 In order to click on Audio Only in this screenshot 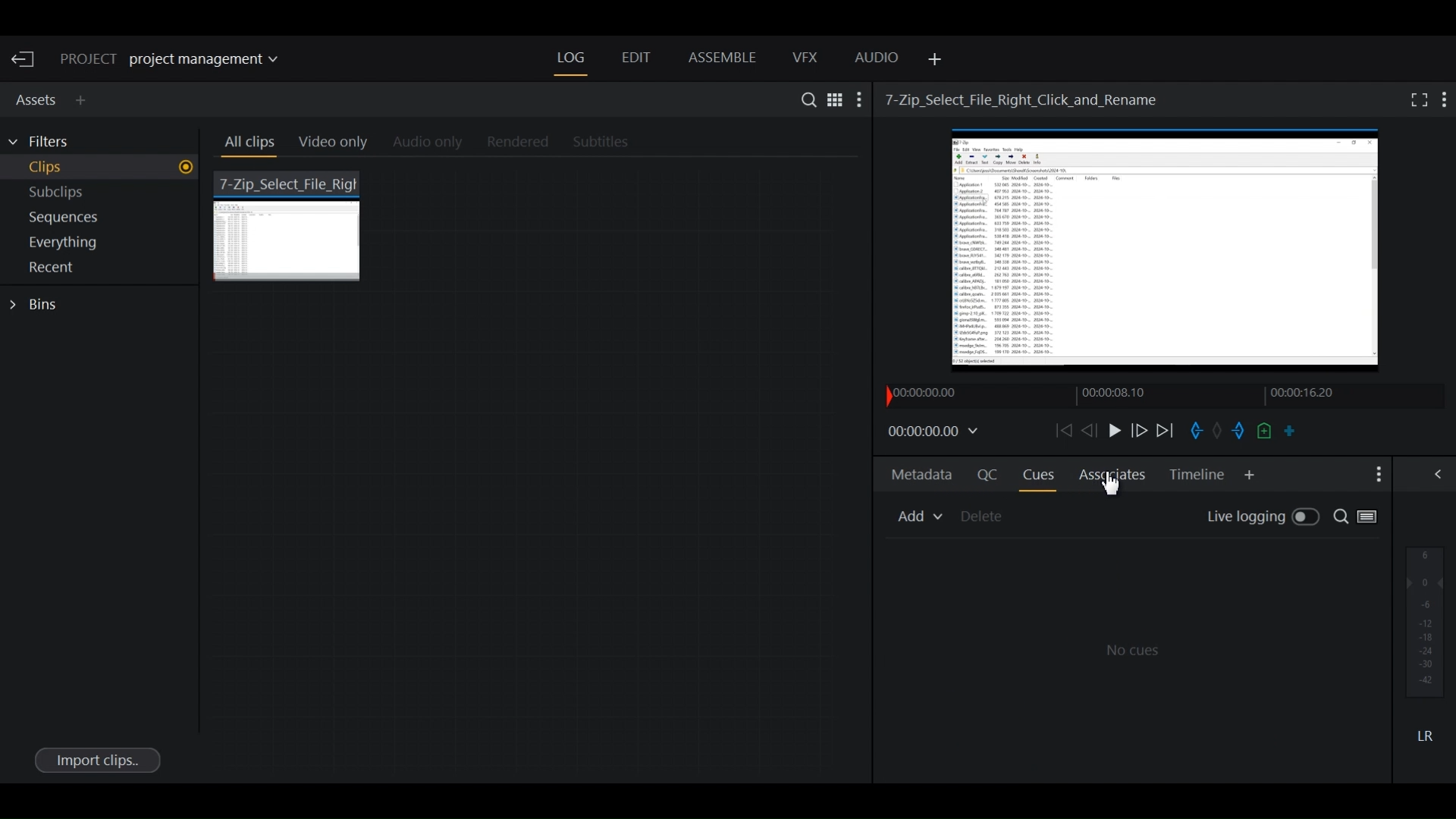, I will do `click(432, 143)`.